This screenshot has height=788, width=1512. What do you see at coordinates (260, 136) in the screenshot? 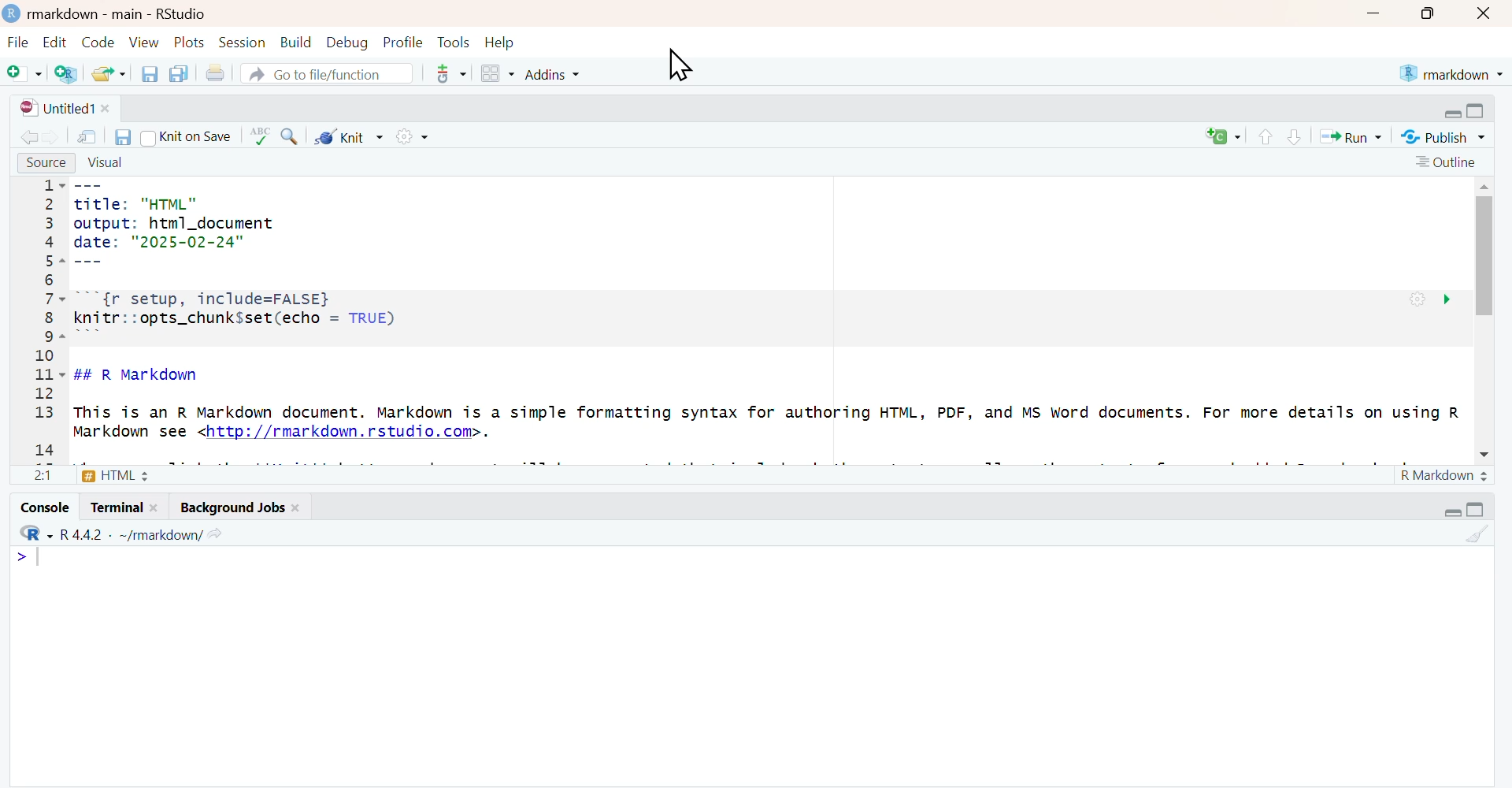
I see `Spell check` at bounding box center [260, 136].